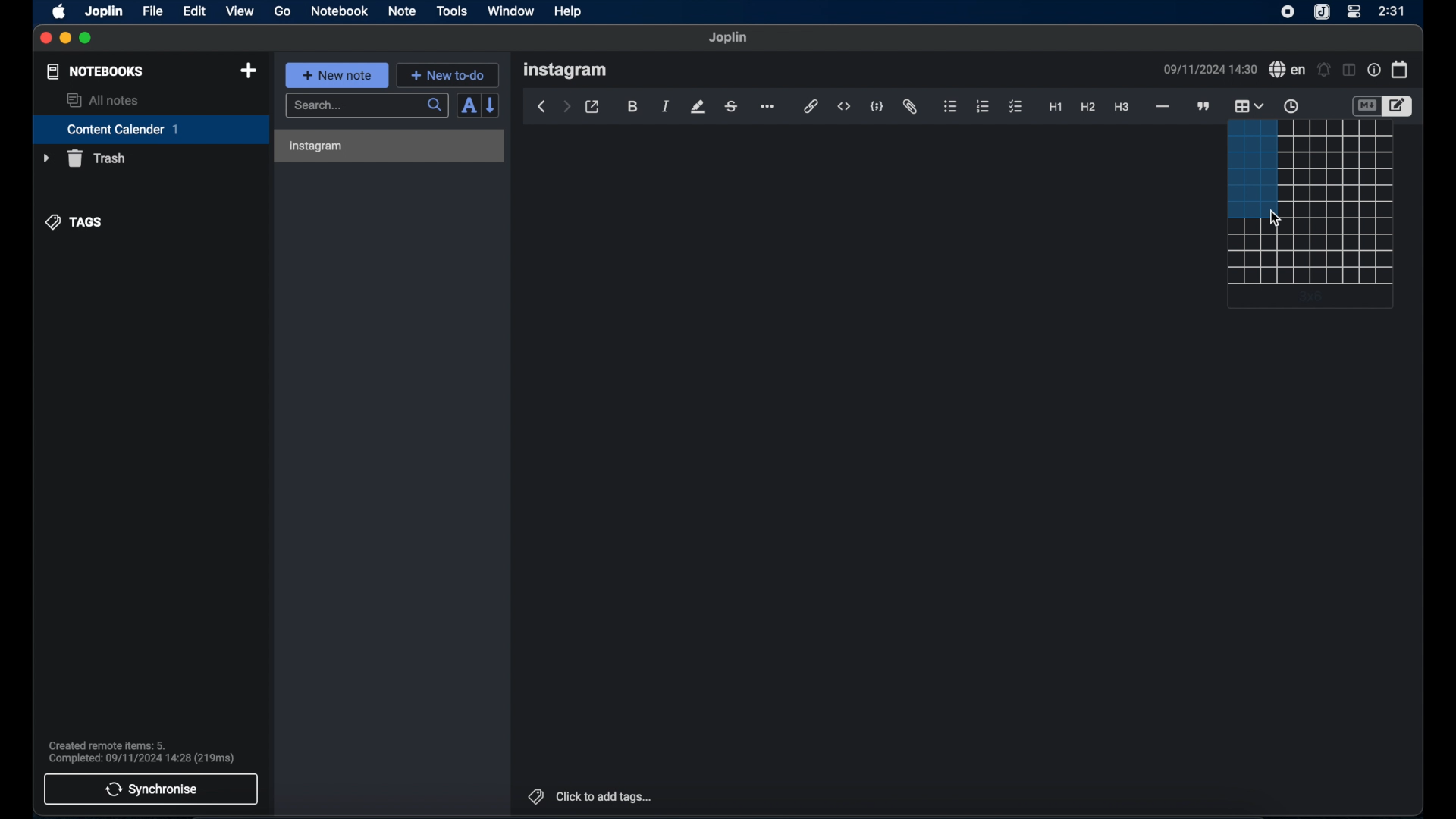 The height and width of the screenshot is (819, 1456). What do you see at coordinates (1248, 105) in the screenshot?
I see `table highlighted` at bounding box center [1248, 105].